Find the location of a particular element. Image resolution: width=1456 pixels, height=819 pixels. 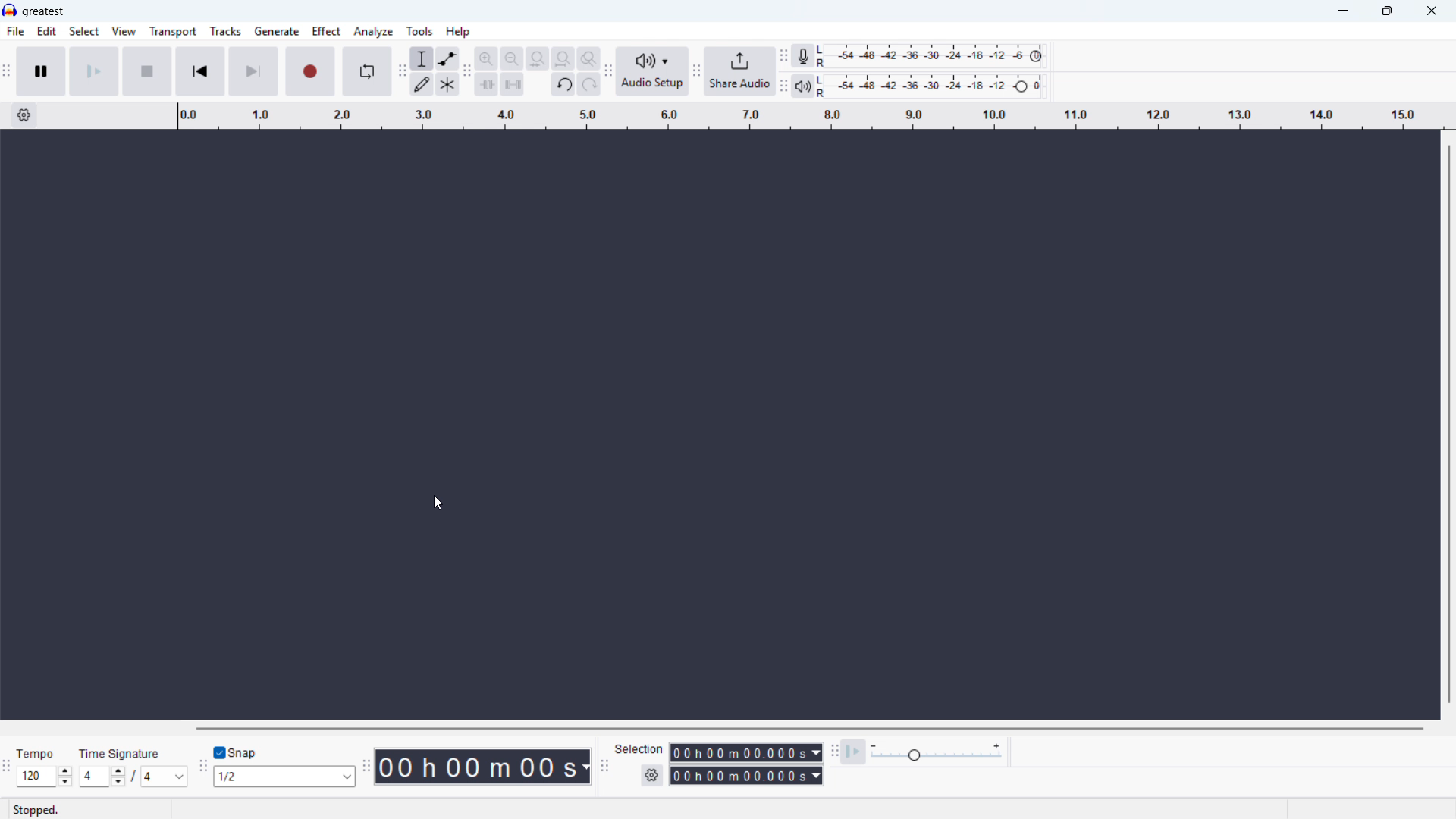

Recording metre toolbar is located at coordinates (784, 57).